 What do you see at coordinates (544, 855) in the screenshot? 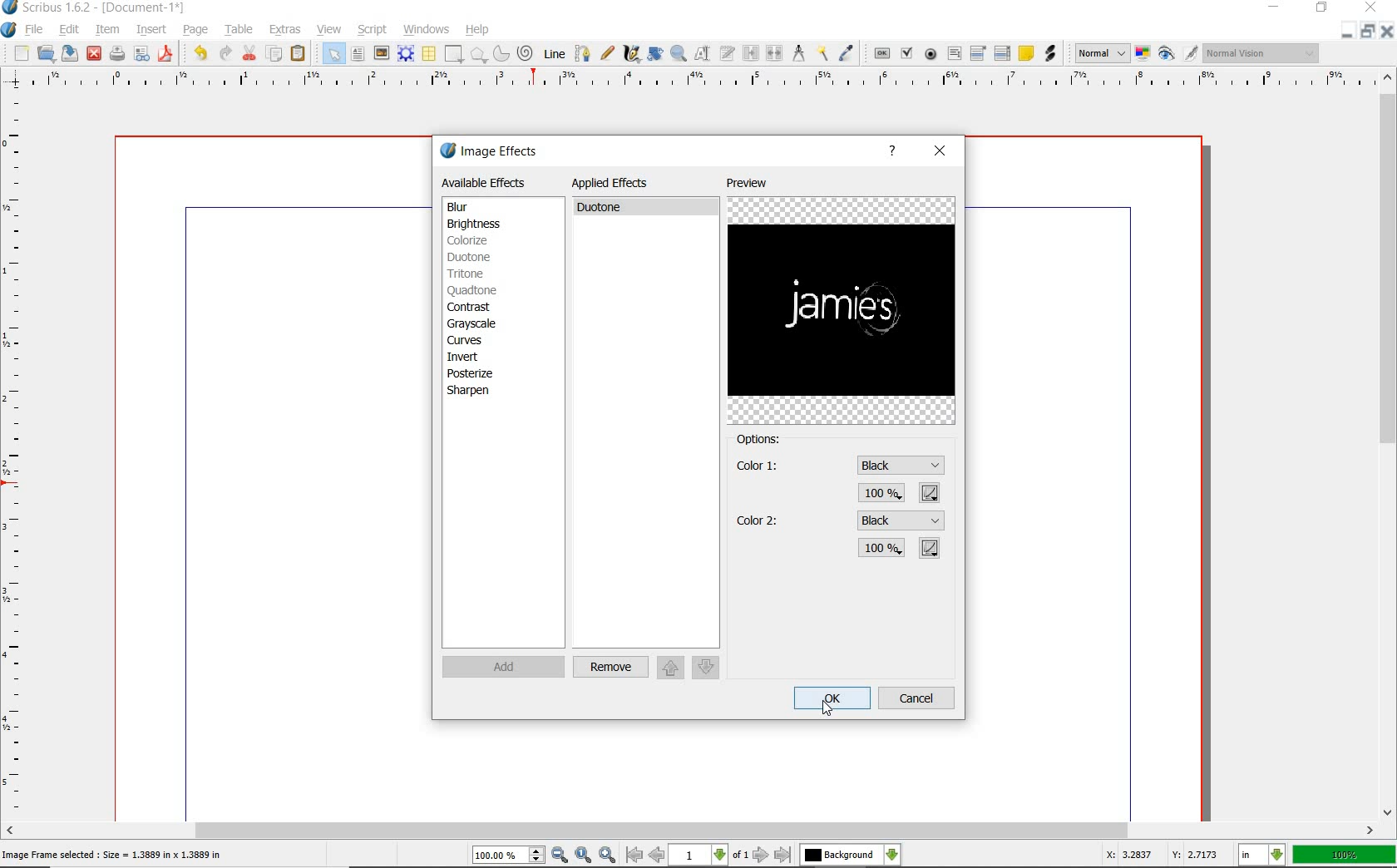
I see `zoom in/zoom to/zoom out` at bounding box center [544, 855].